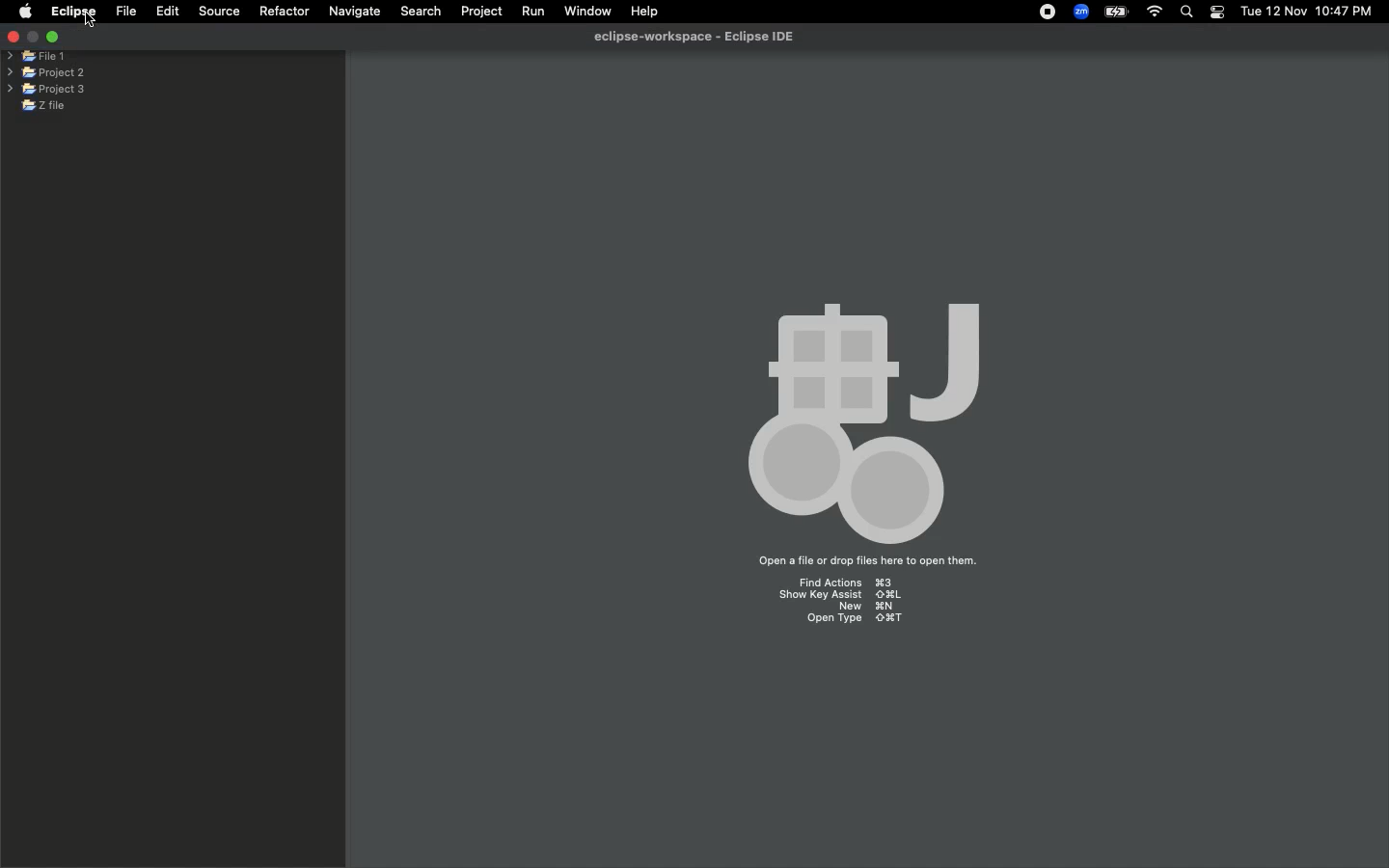 Image resolution: width=1389 pixels, height=868 pixels. Describe the element at coordinates (25, 14) in the screenshot. I see `Apple logo` at that location.